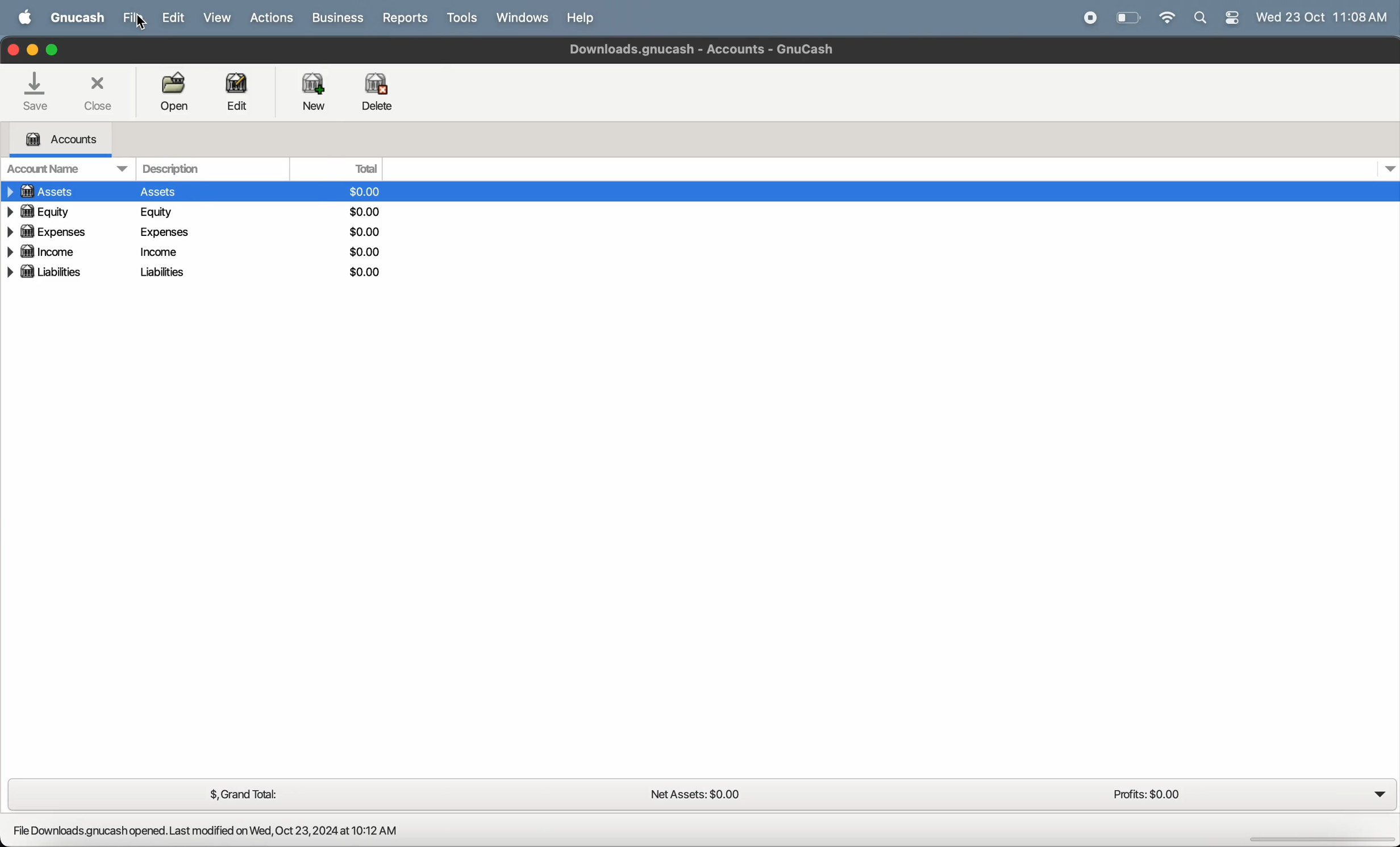 The image size is (1400, 847). Describe the element at coordinates (141, 24) in the screenshot. I see `cursor` at that location.